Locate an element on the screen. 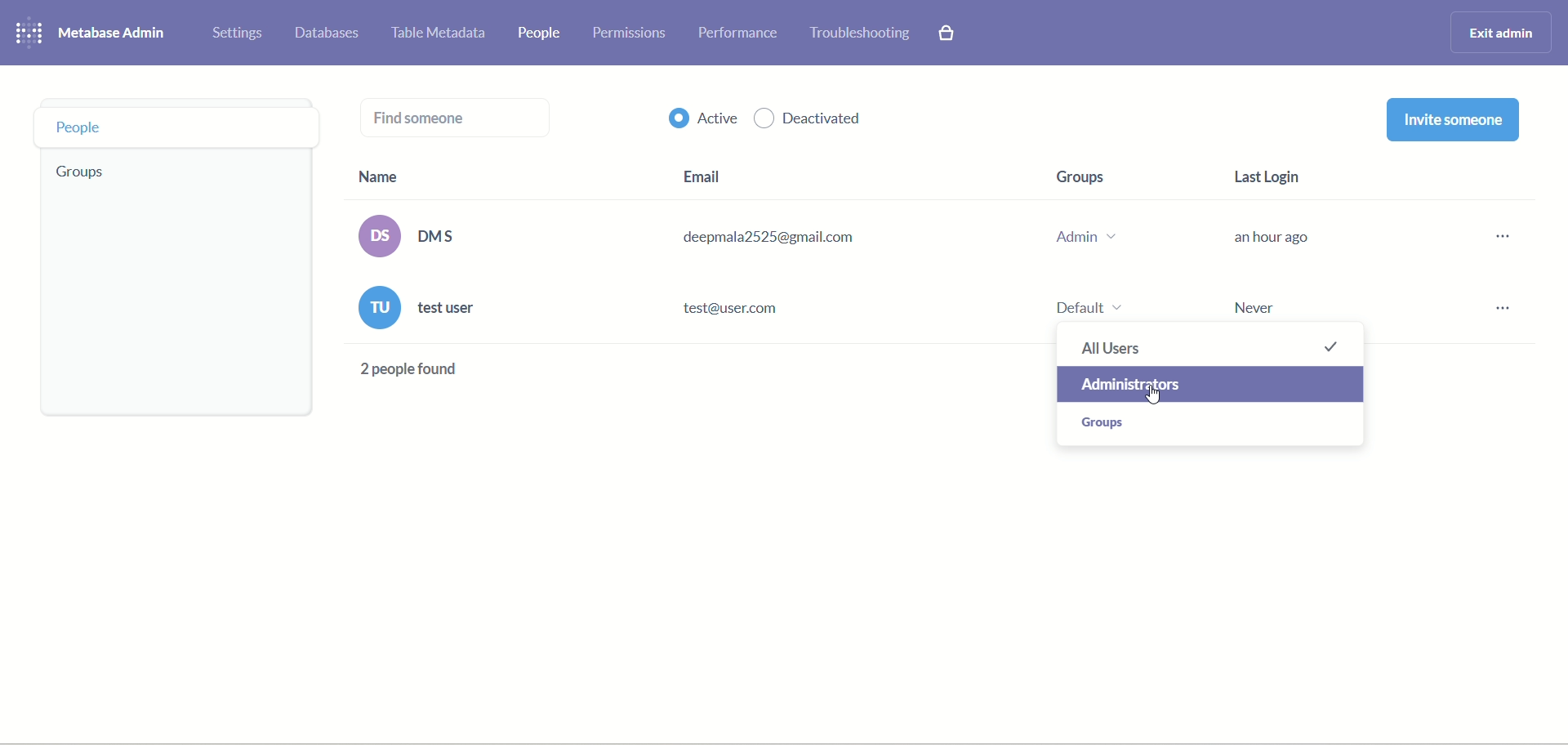 This screenshot has height=745, width=1568. groups is located at coordinates (86, 173).